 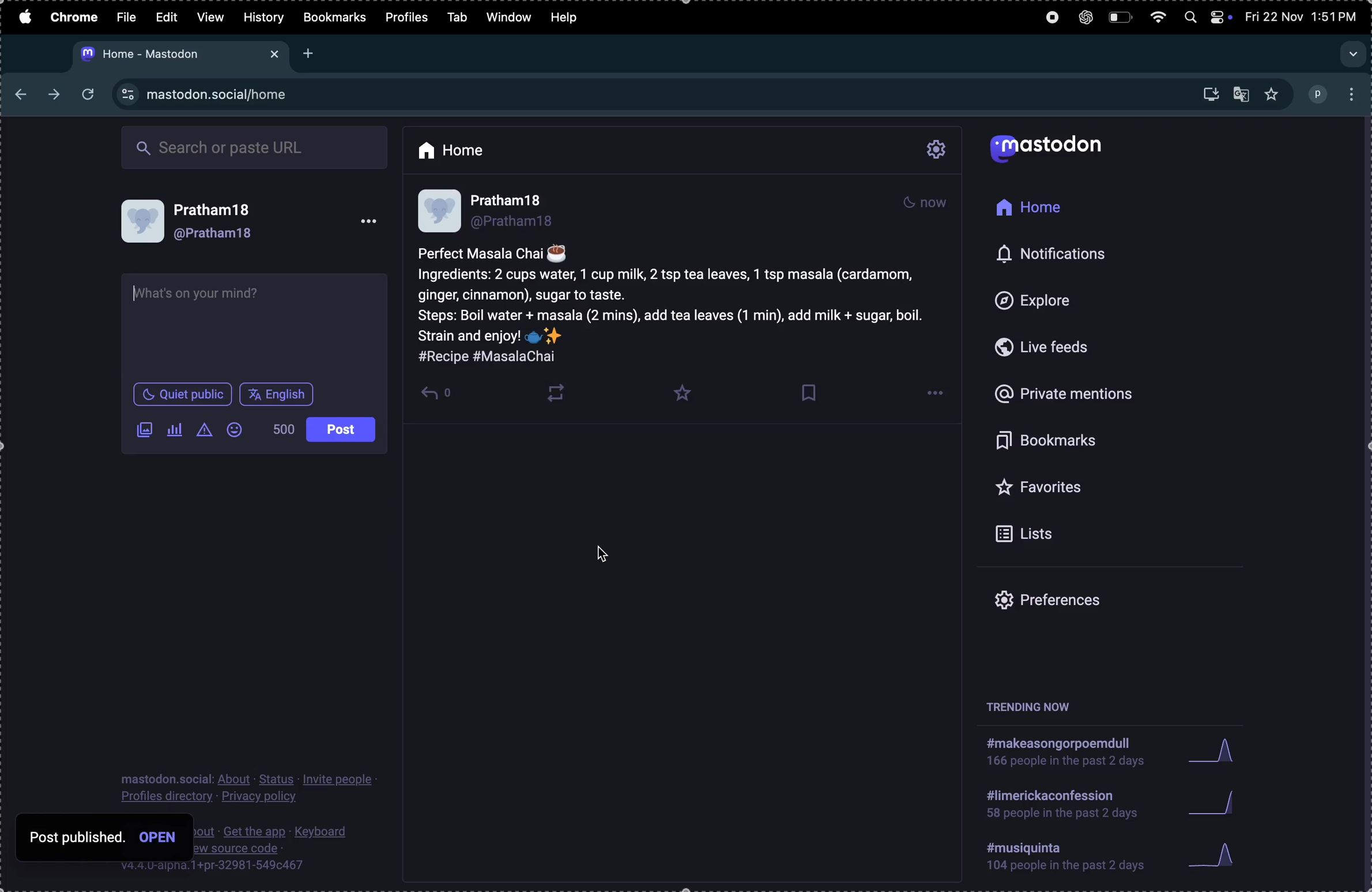 I want to click on graphs, so click(x=1173, y=751).